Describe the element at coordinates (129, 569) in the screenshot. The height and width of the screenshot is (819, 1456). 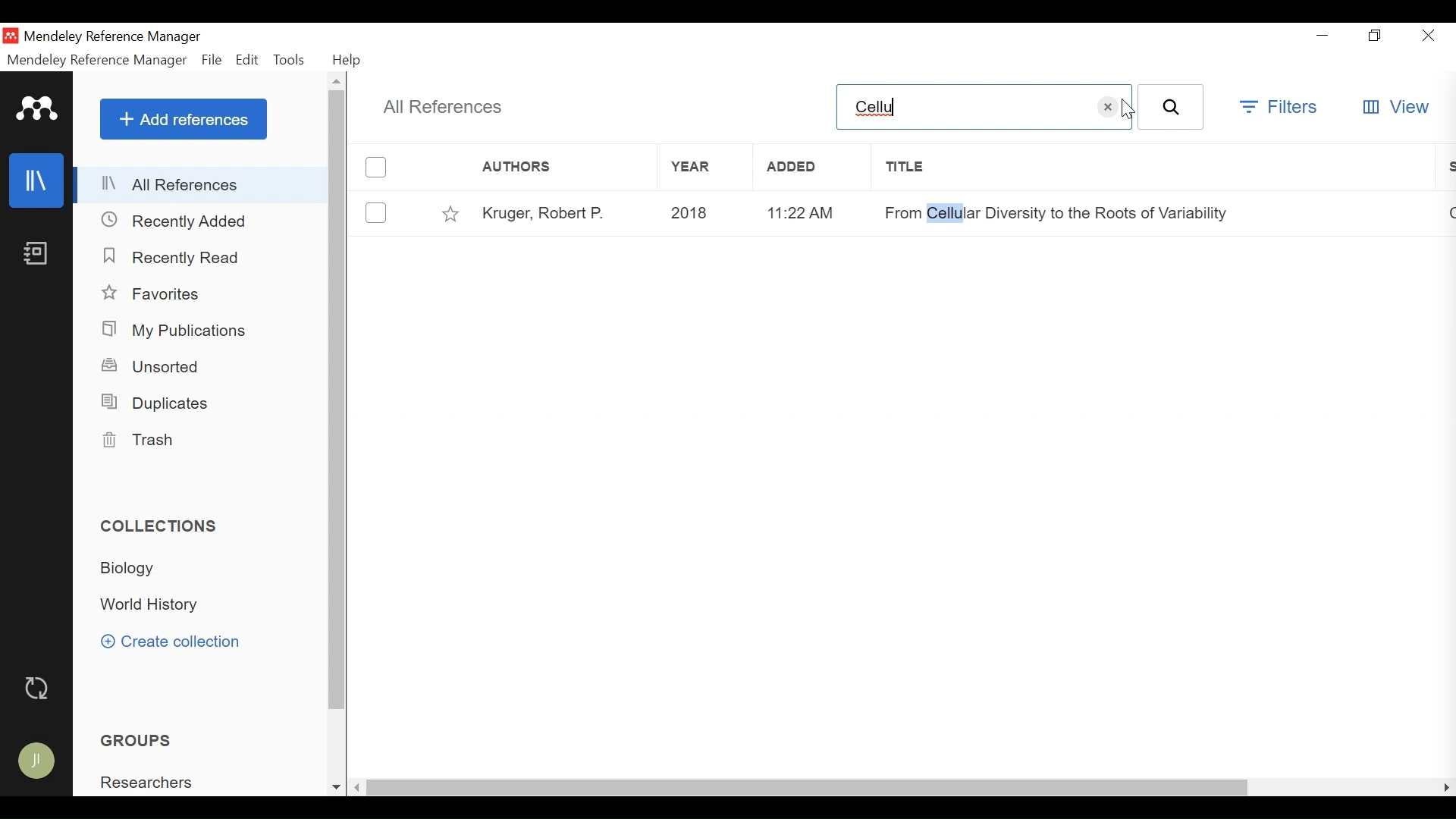
I see `Collection` at that location.